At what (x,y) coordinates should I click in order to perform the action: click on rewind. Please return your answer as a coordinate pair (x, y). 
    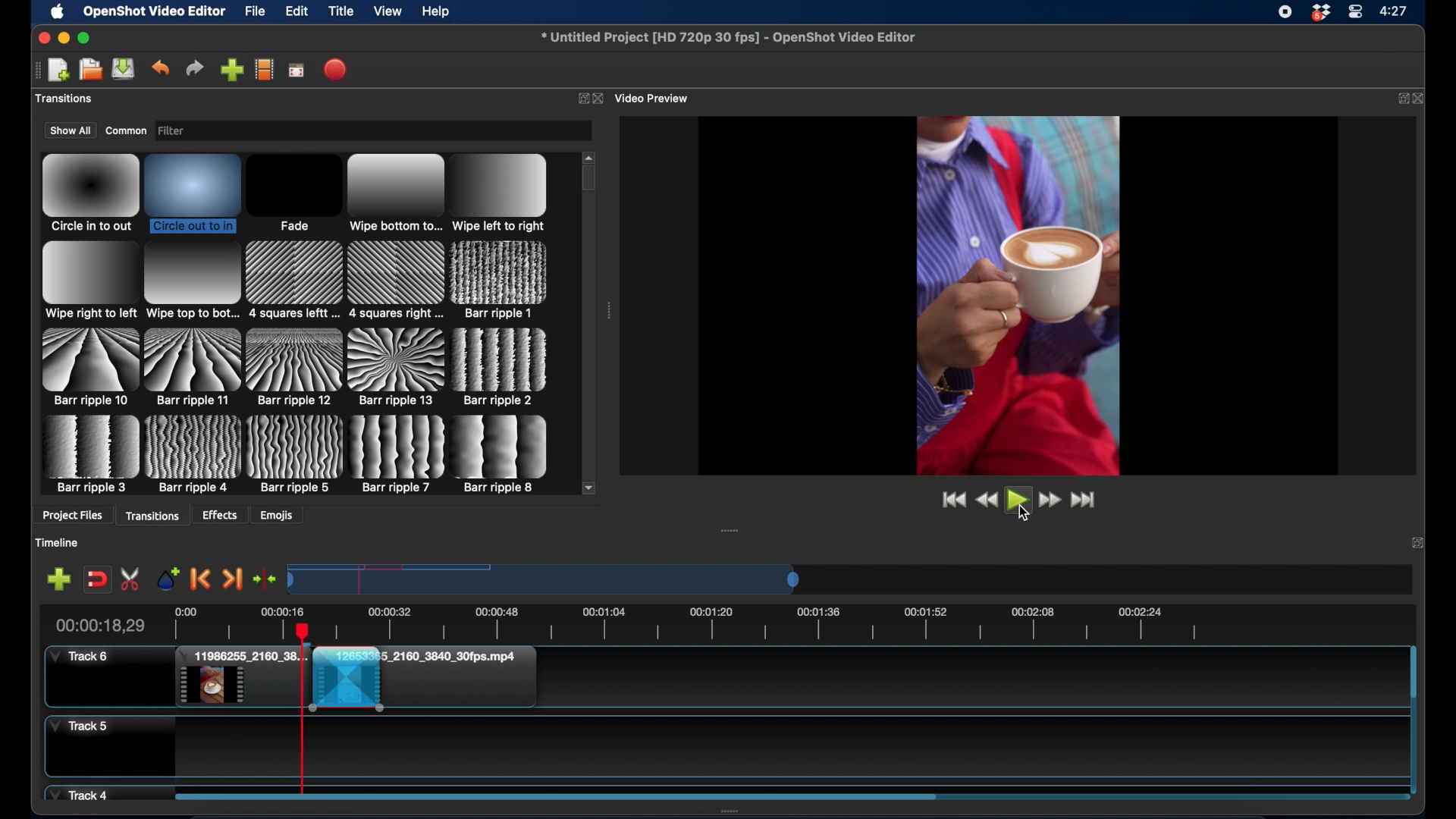
    Looking at the image, I should click on (987, 502).